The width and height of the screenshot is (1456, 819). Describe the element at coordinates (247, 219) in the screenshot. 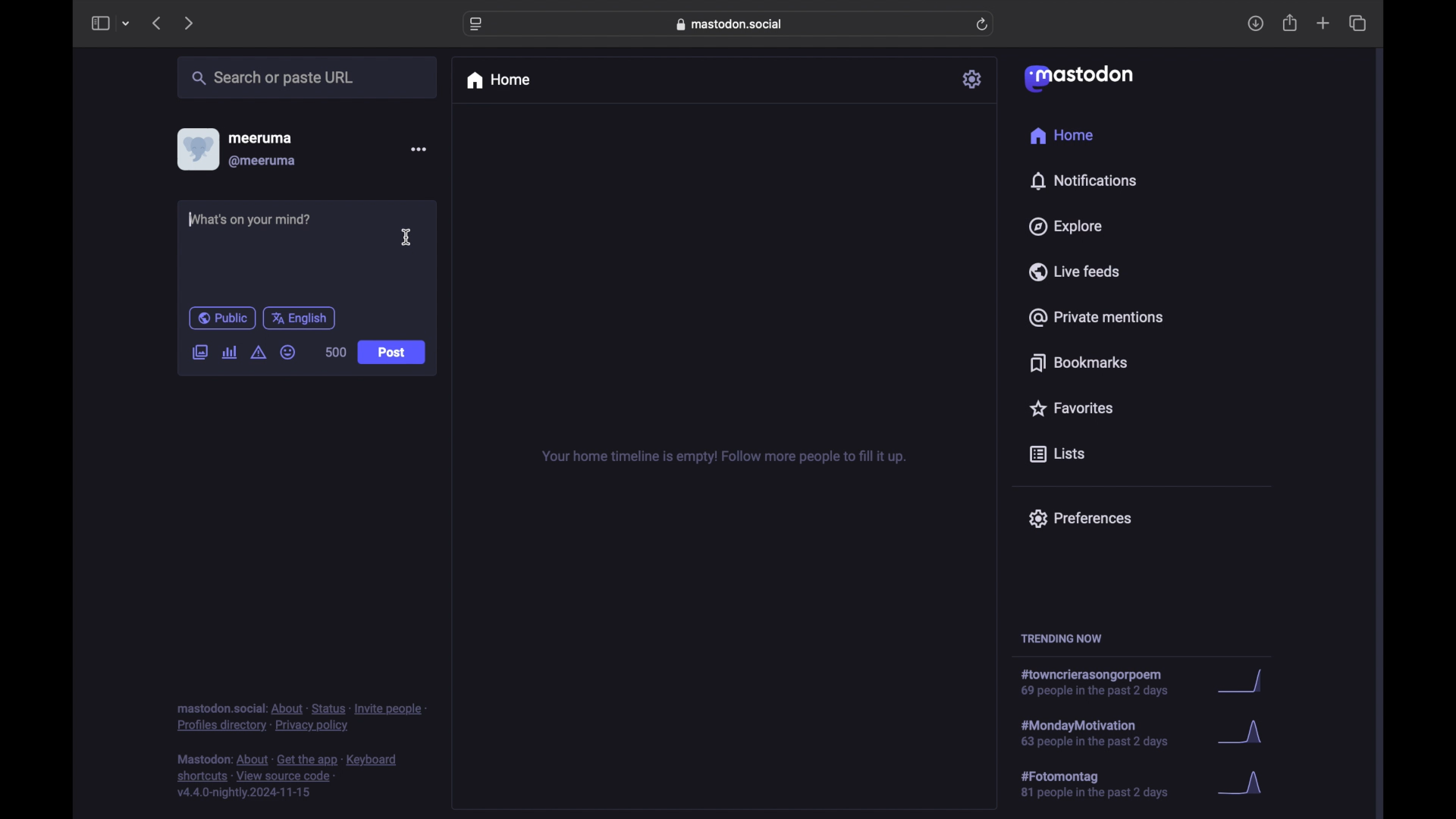

I see `what's on your mind?` at that location.